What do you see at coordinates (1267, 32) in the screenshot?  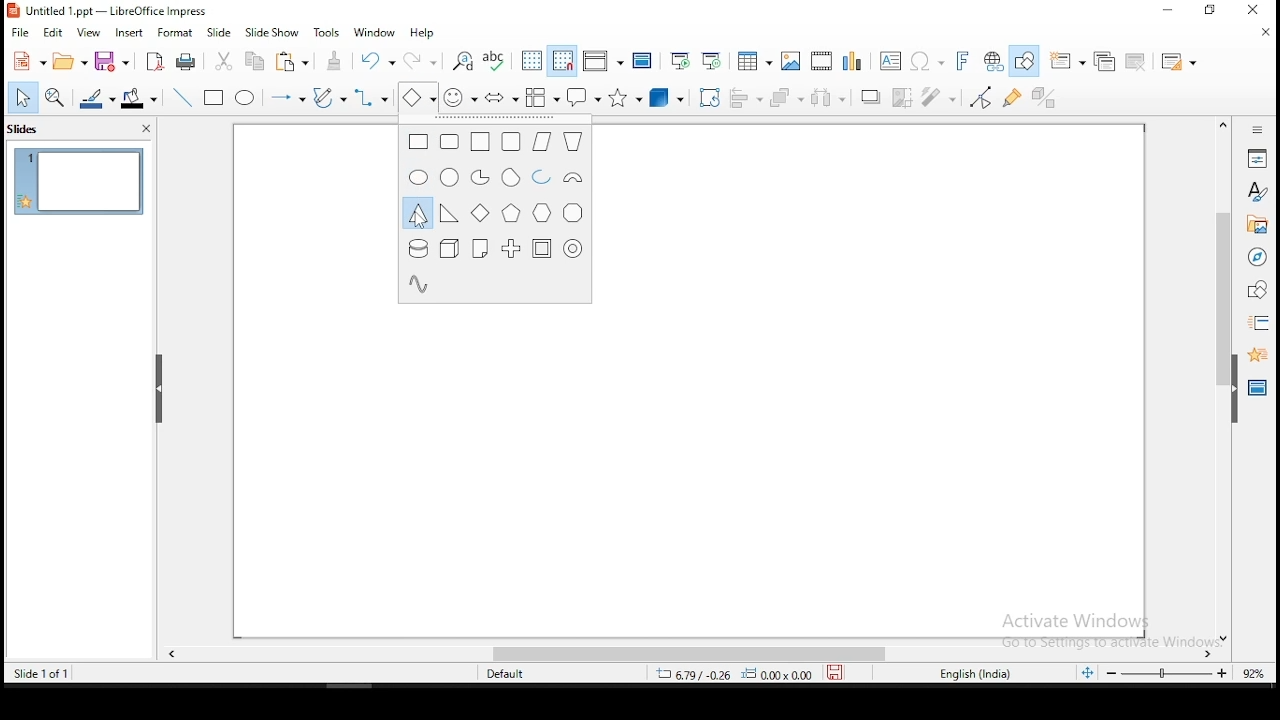 I see `close document` at bounding box center [1267, 32].